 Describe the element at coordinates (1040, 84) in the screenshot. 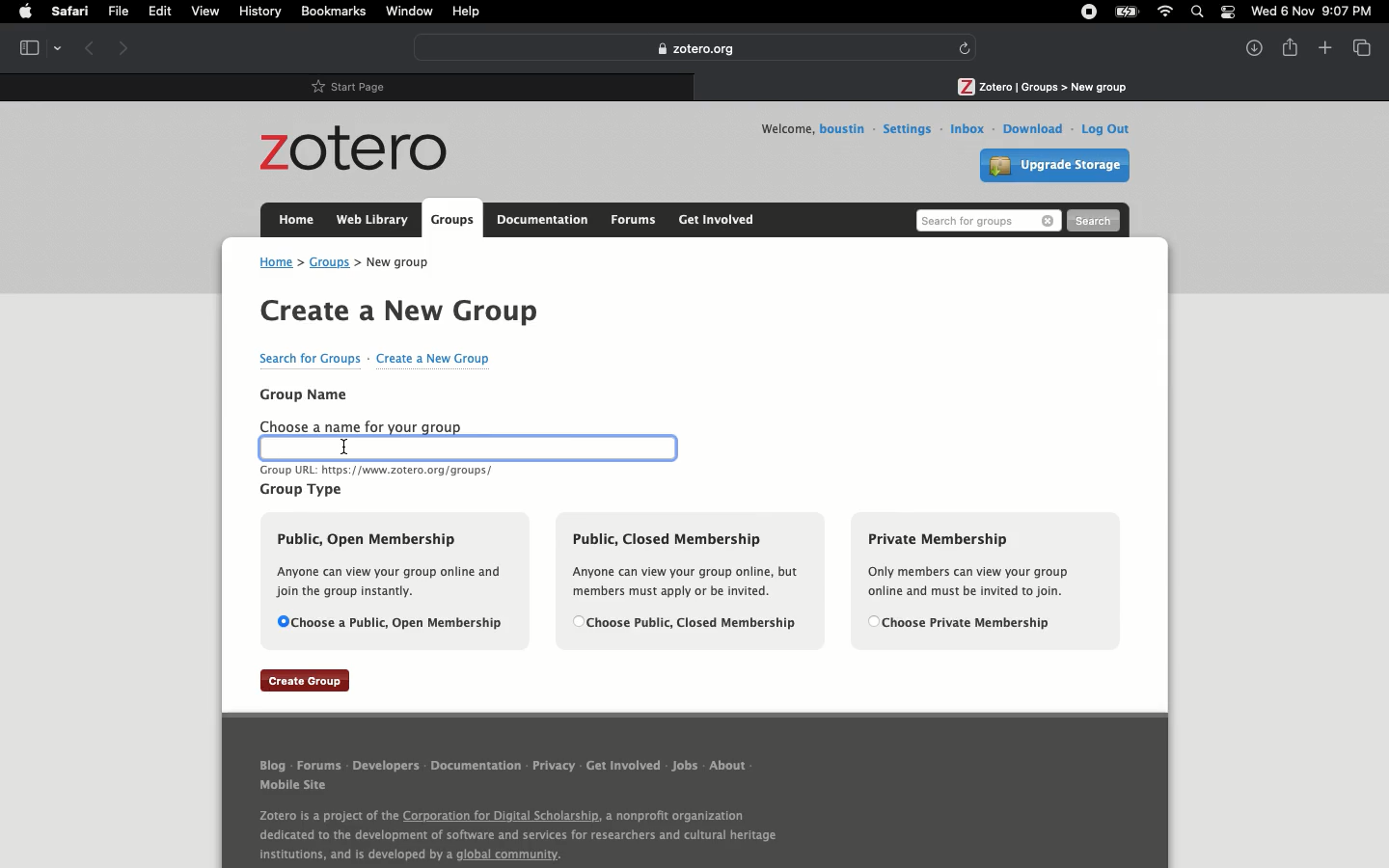

I see `Tab 2` at that location.